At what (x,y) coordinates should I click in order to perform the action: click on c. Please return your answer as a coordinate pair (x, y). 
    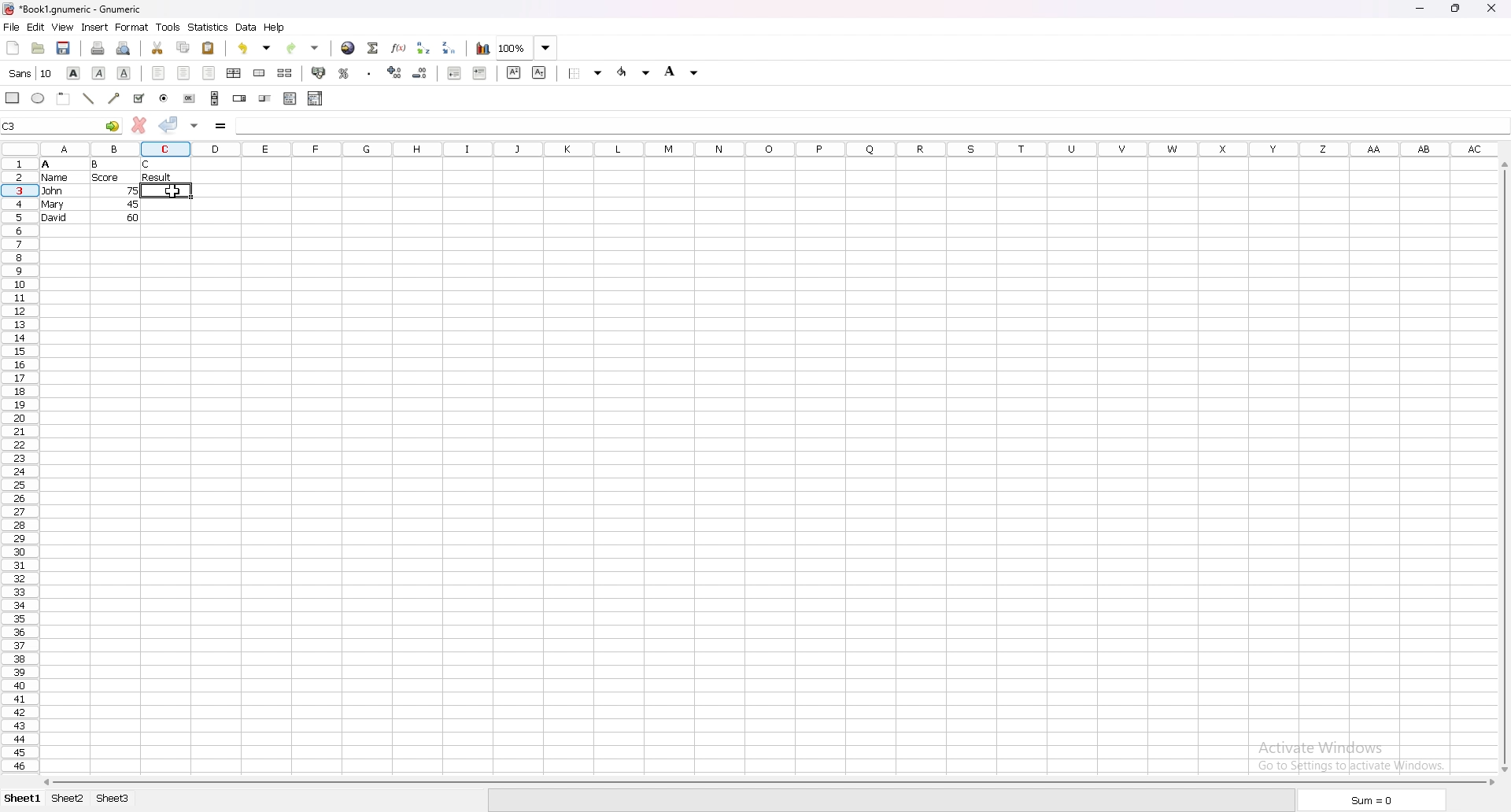
    Looking at the image, I should click on (148, 164).